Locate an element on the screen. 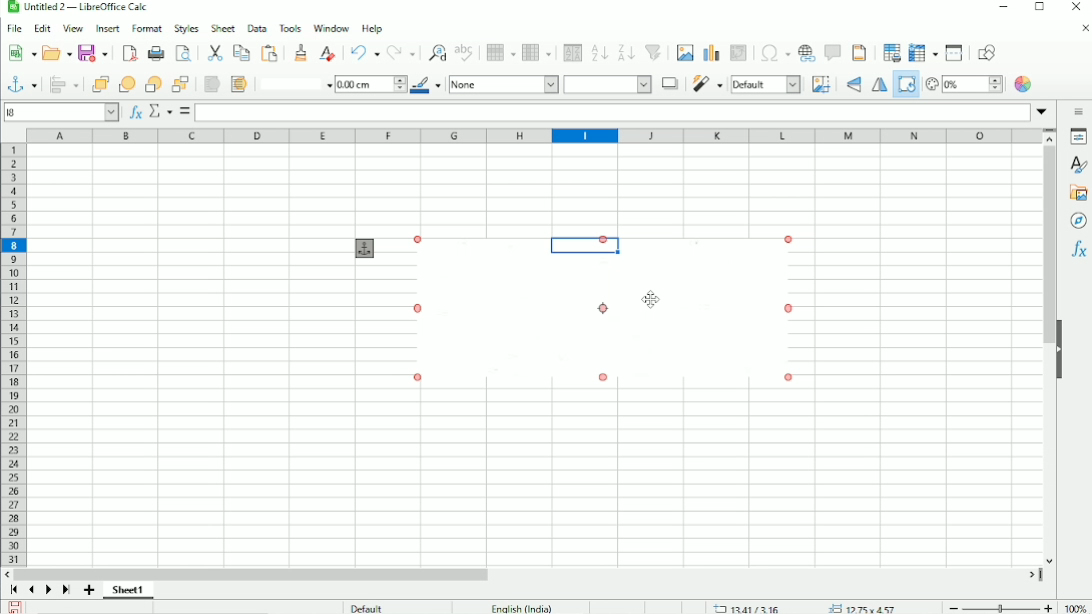 The height and width of the screenshot is (614, 1092). Crop image is located at coordinates (822, 84).